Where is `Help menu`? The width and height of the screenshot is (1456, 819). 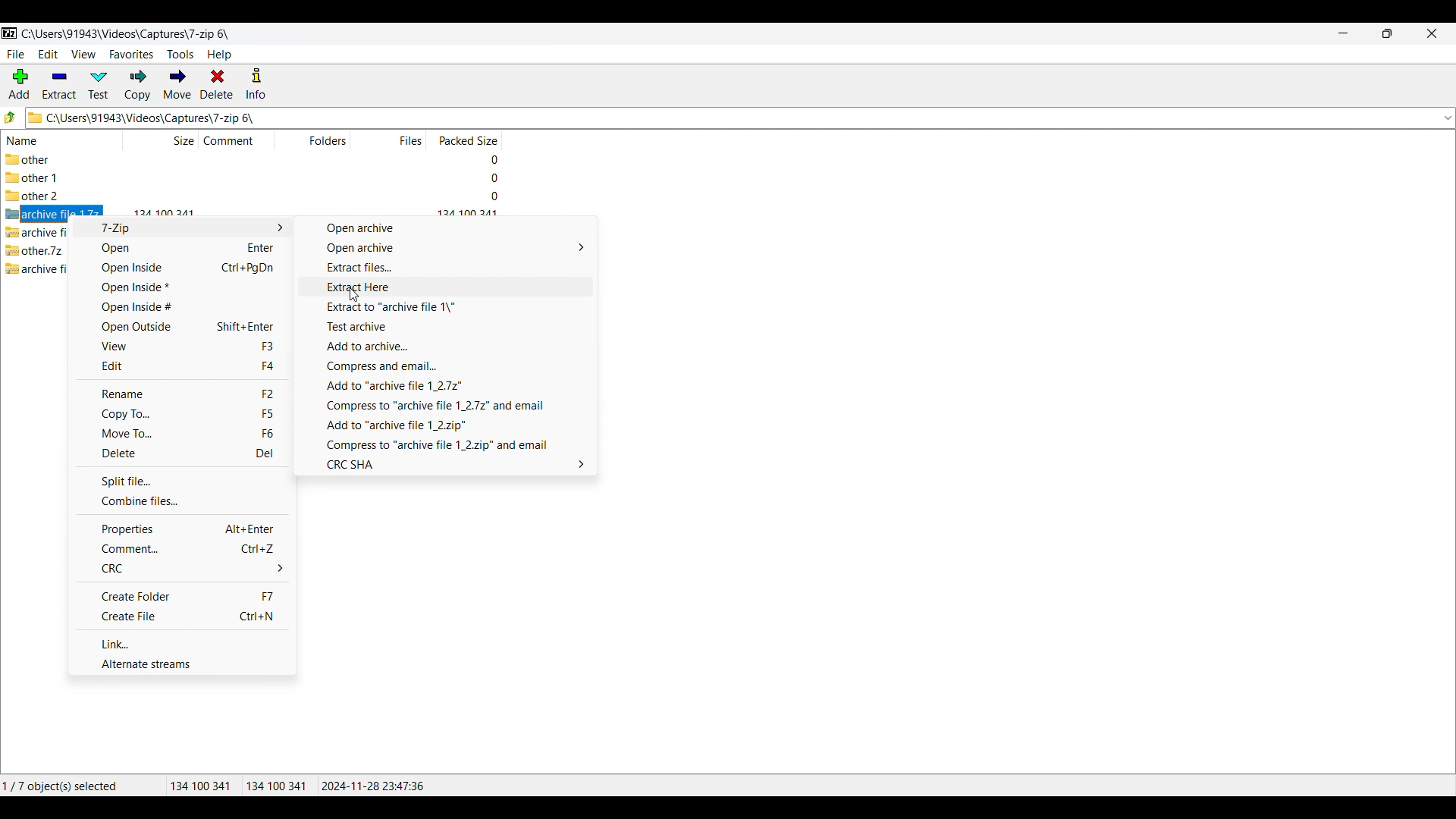 Help menu is located at coordinates (219, 55).